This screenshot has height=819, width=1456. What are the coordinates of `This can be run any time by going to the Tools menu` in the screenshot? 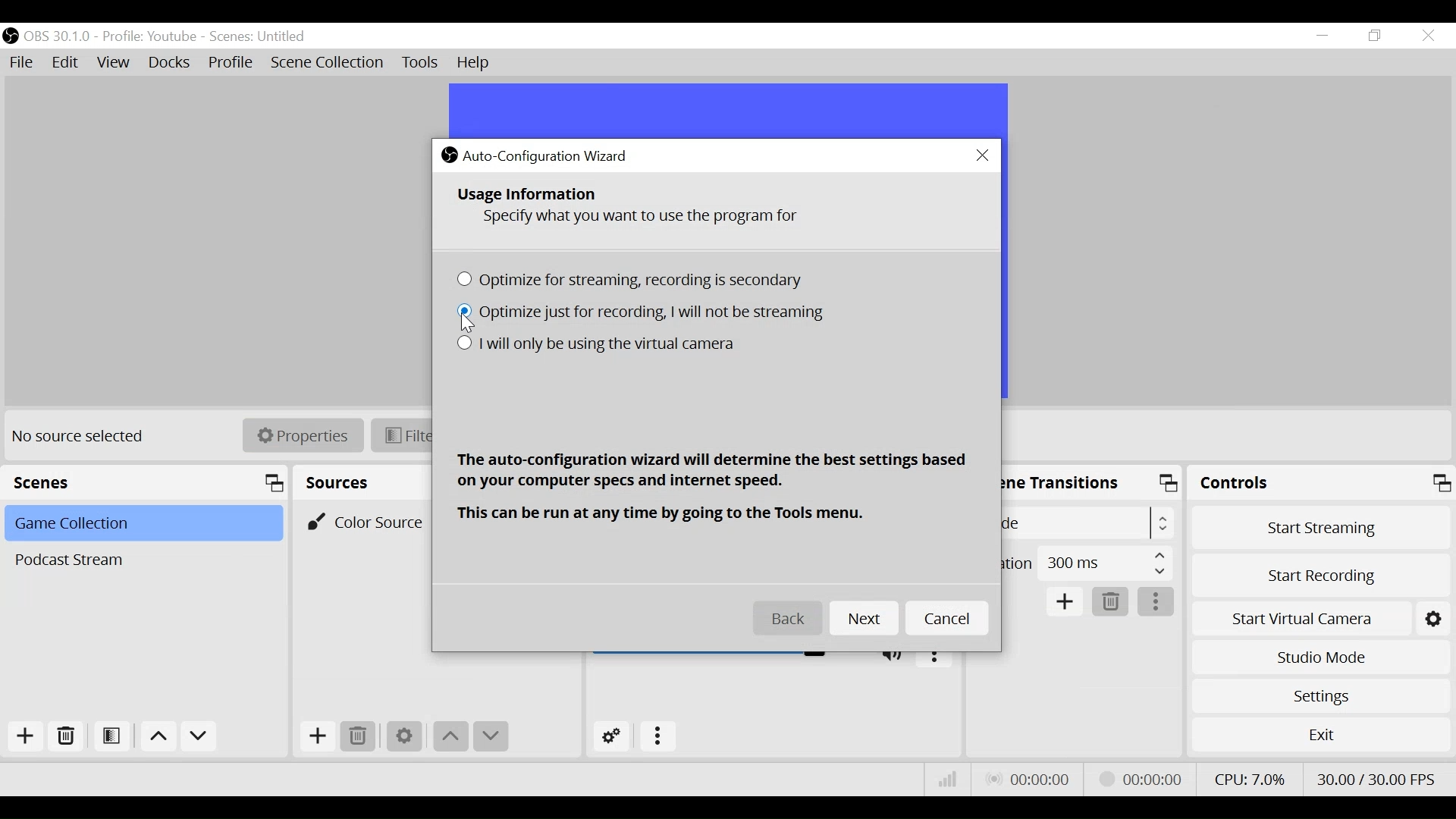 It's located at (667, 514).